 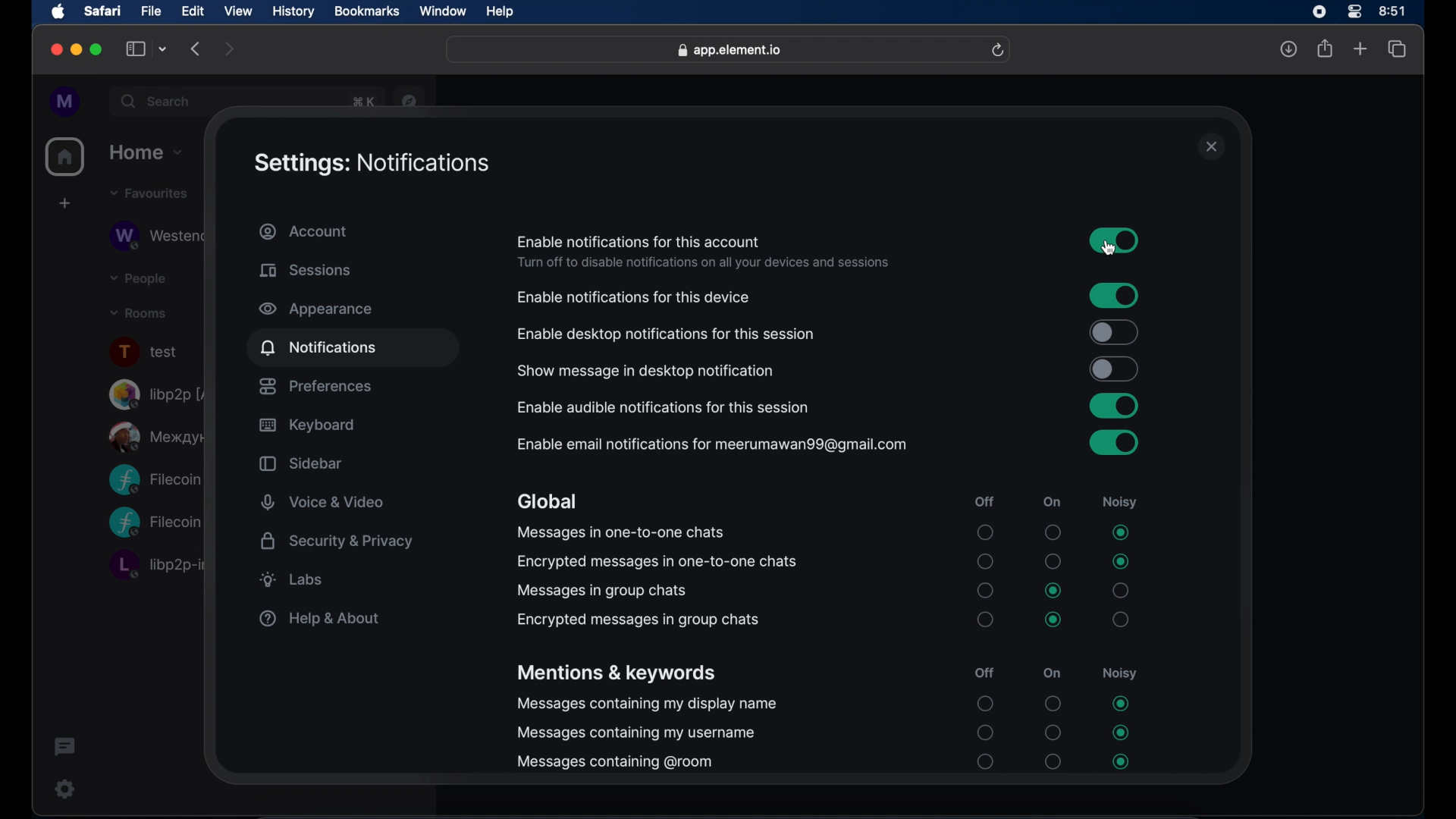 I want to click on control center, so click(x=1354, y=12).